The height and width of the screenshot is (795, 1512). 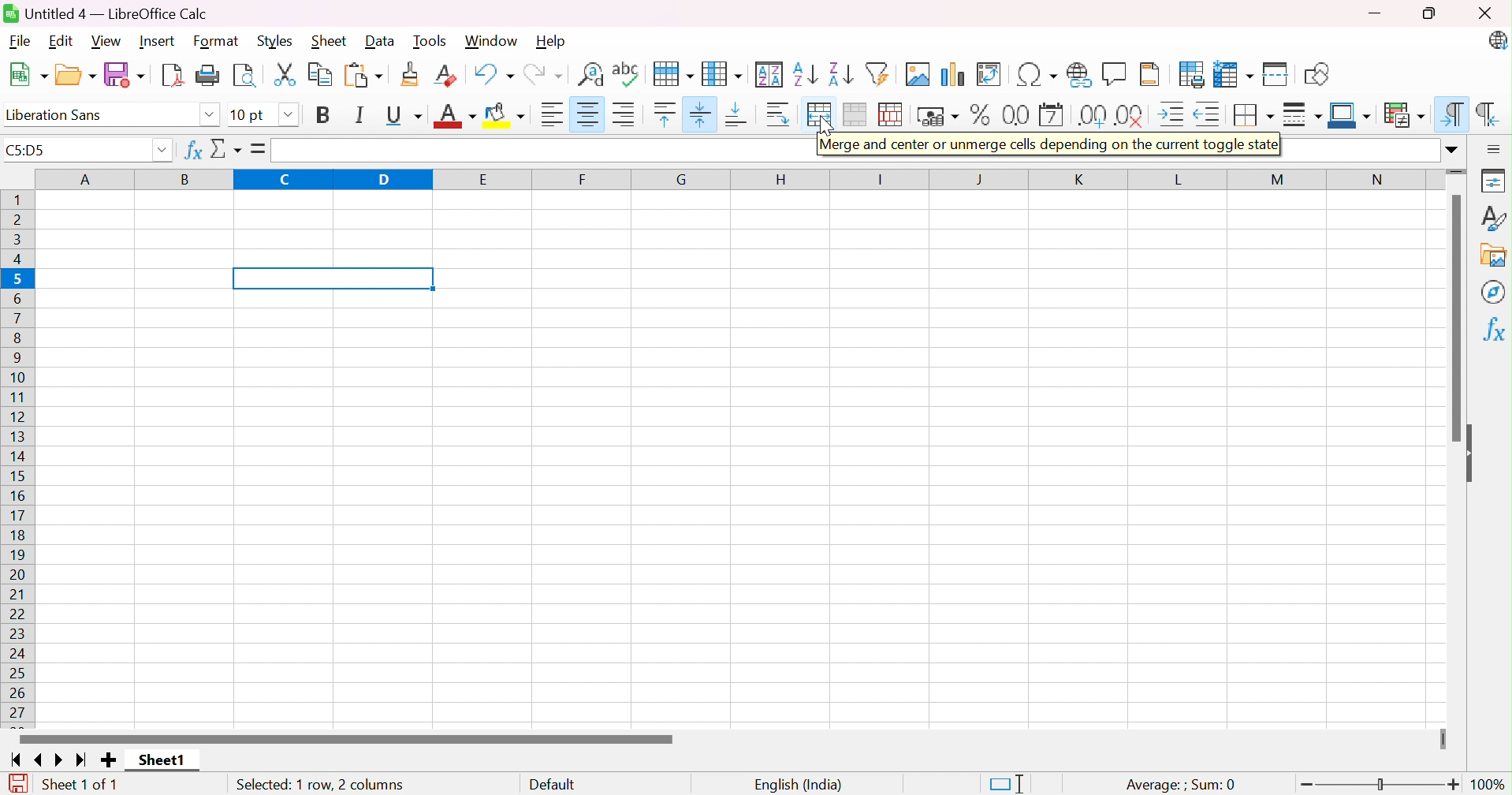 I want to click on Standard Selection. Click to change selection mode., so click(x=1005, y=782).